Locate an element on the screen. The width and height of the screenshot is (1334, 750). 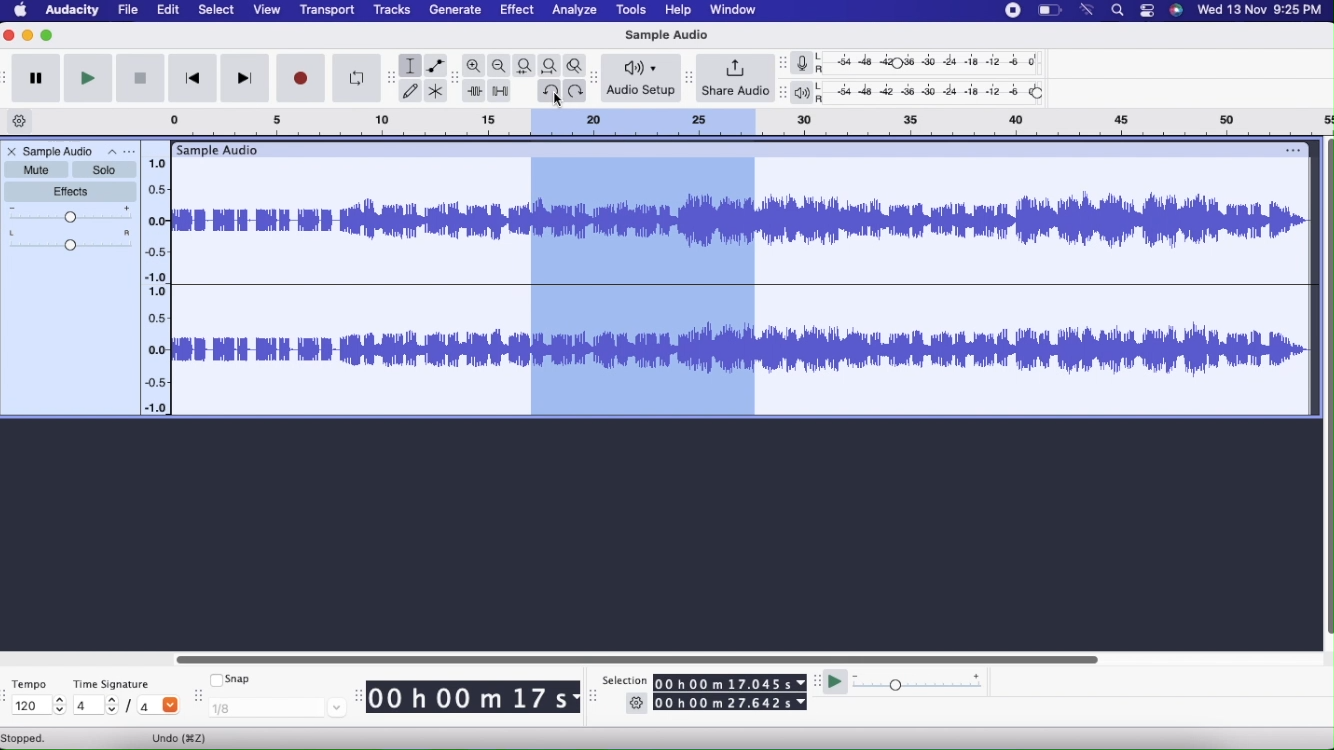
Slider is located at coordinates (635, 658).